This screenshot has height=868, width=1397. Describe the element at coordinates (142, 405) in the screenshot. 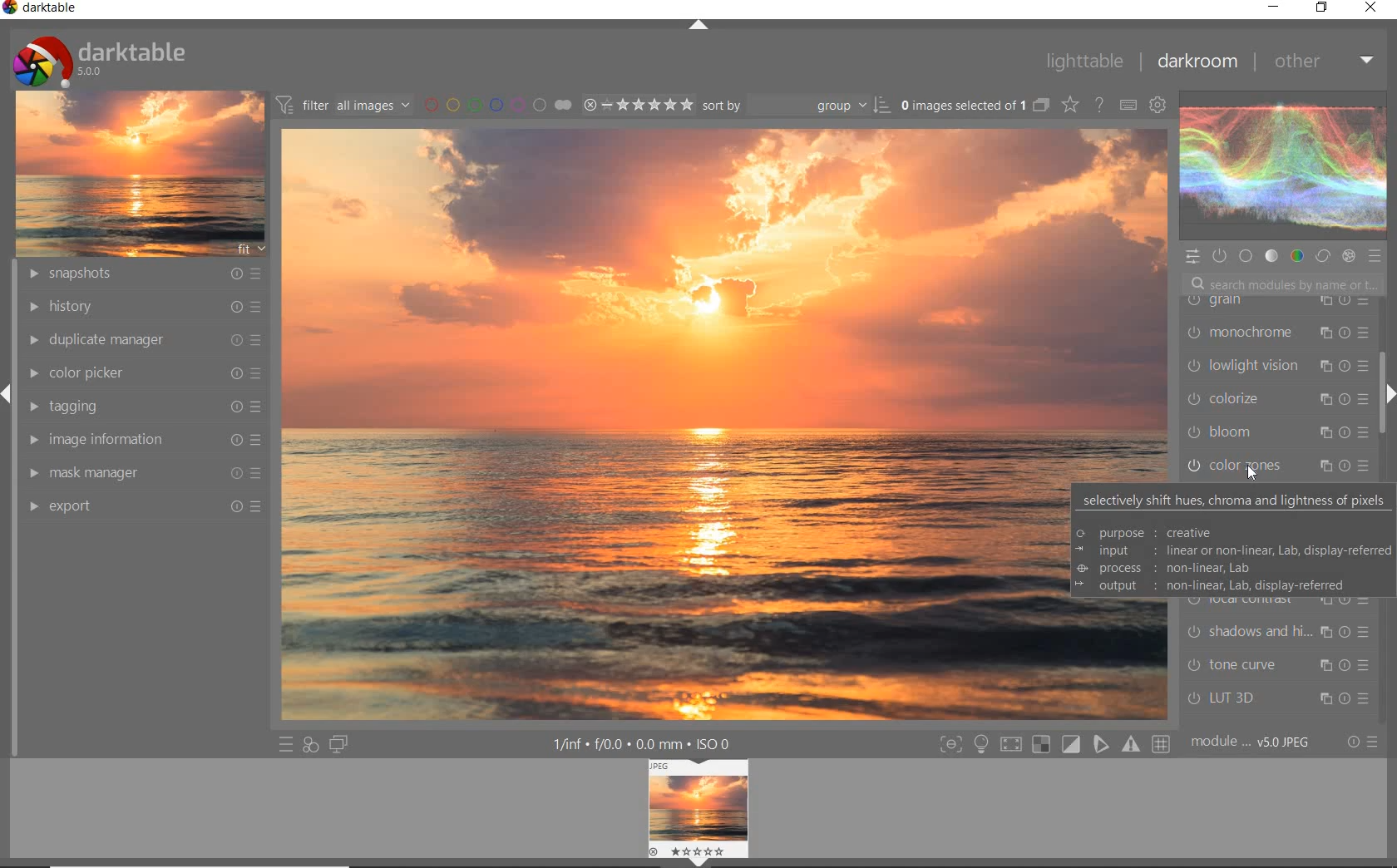

I see `TAGGING` at that location.